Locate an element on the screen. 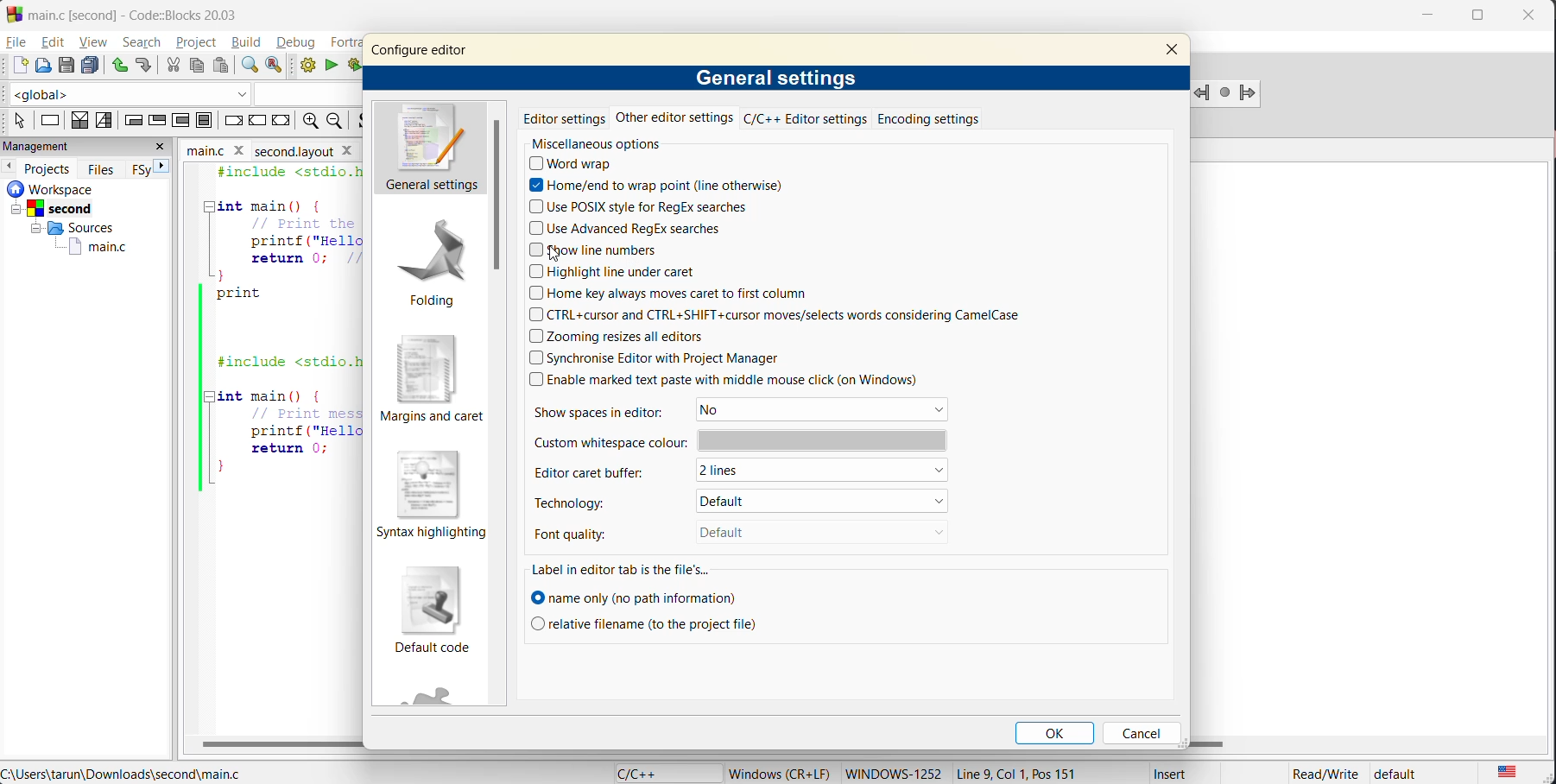 The image size is (1556, 784). editor caret buffer is located at coordinates (599, 473).